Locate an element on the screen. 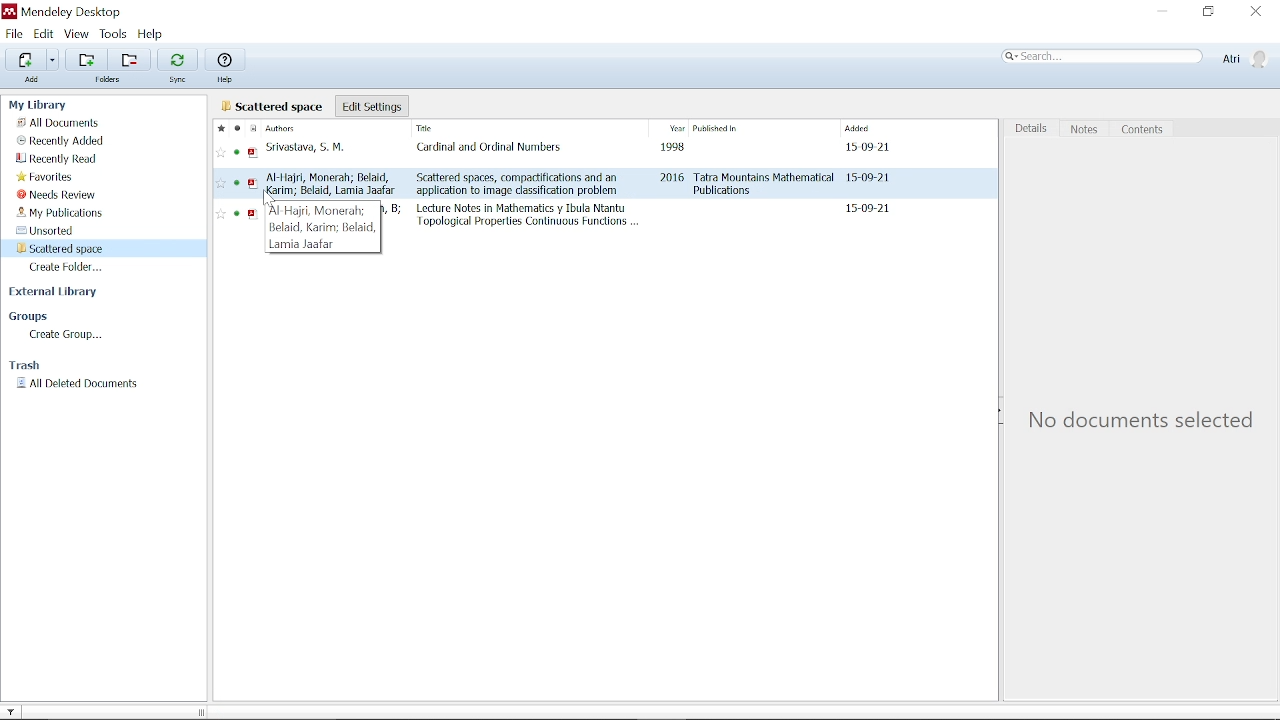 Image resolution: width=1280 pixels, height=720 pixels. year is located at coordinates (669, 151).